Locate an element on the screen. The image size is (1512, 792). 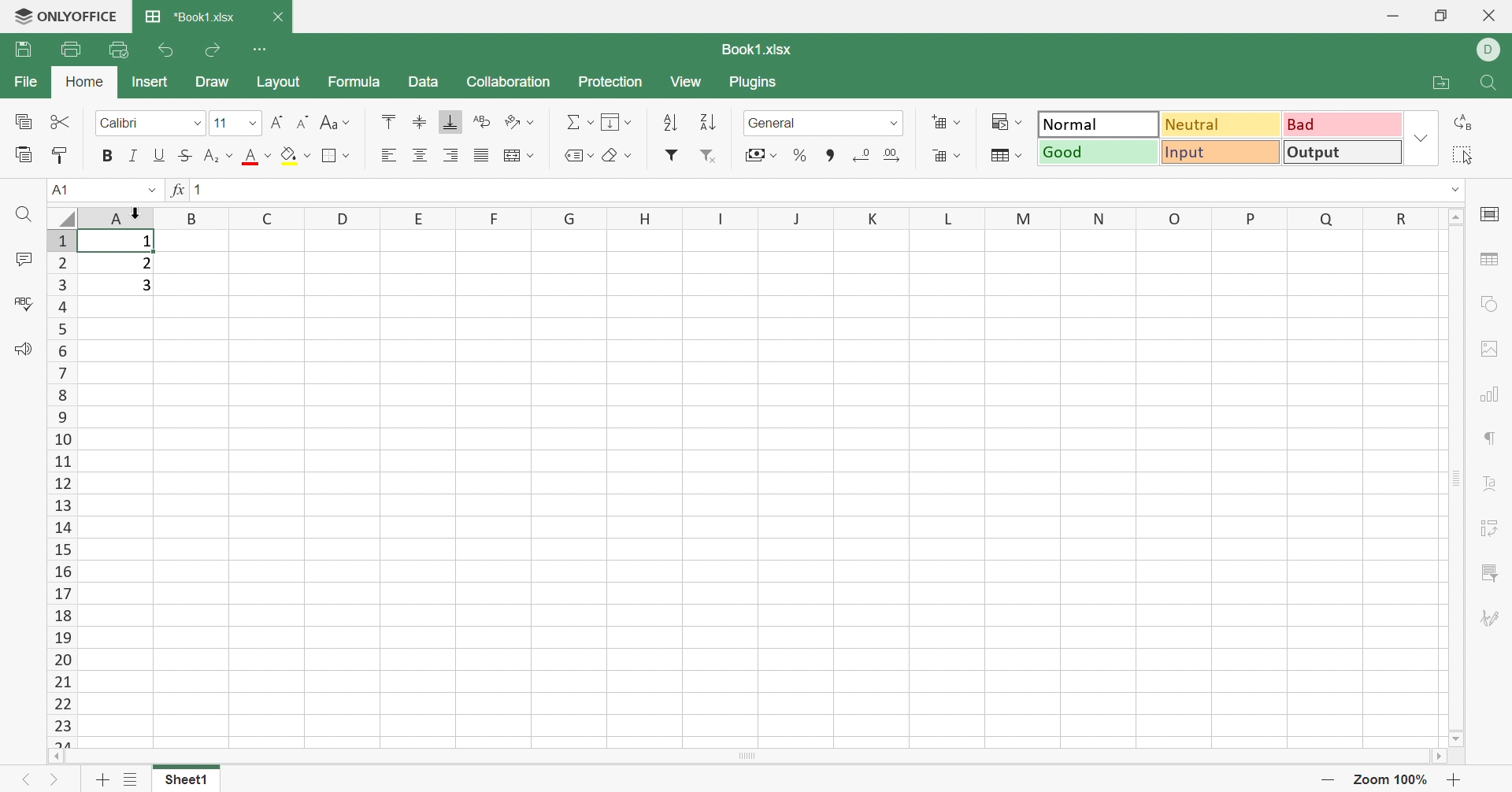
Save is located at coordinates (24, 49).